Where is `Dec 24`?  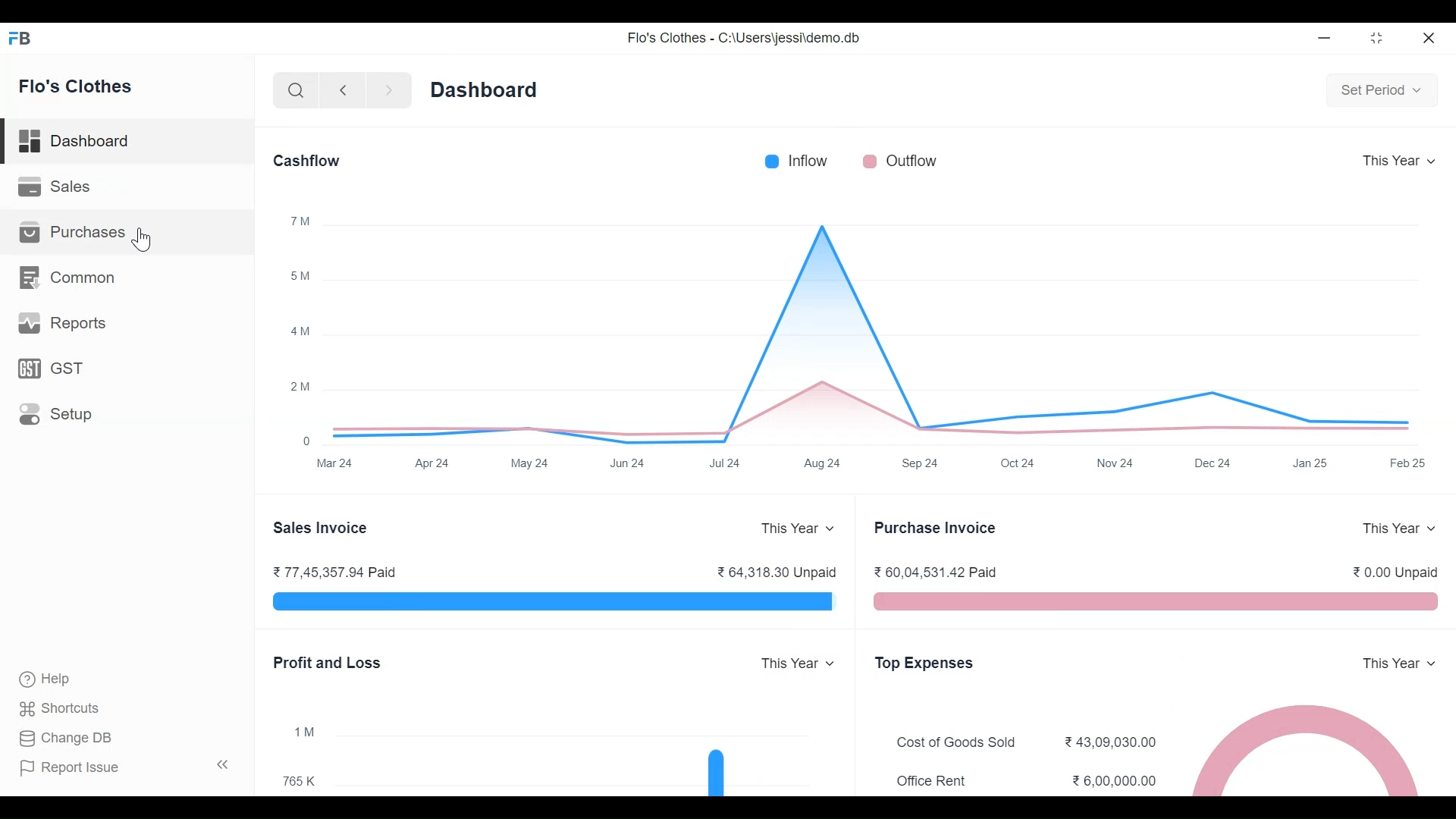 Dec 24 is located at coordinates (1215, 463).